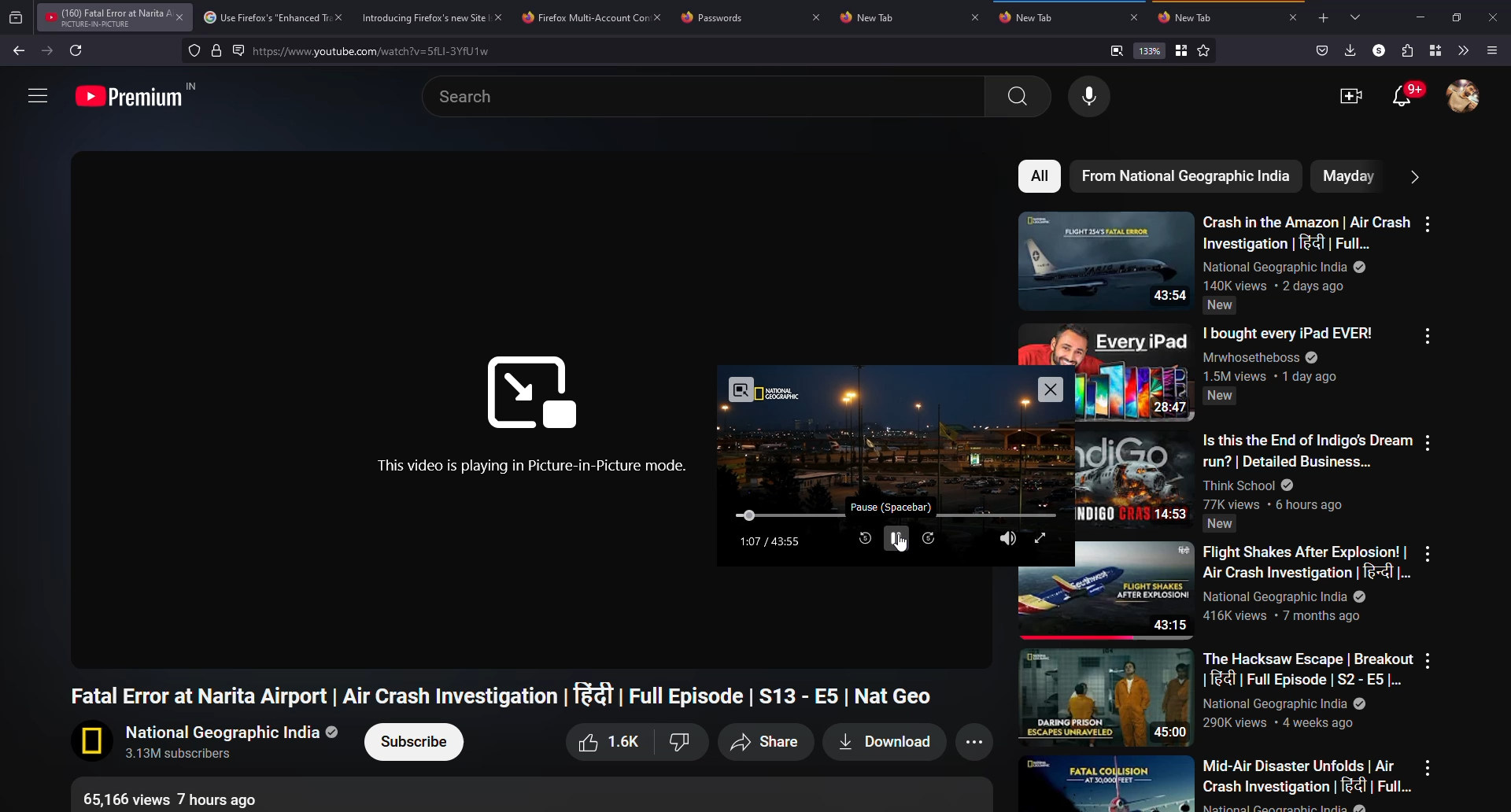 The width and height of the screenshot is (1511, 812). I want to click on move, so click(749, 515).